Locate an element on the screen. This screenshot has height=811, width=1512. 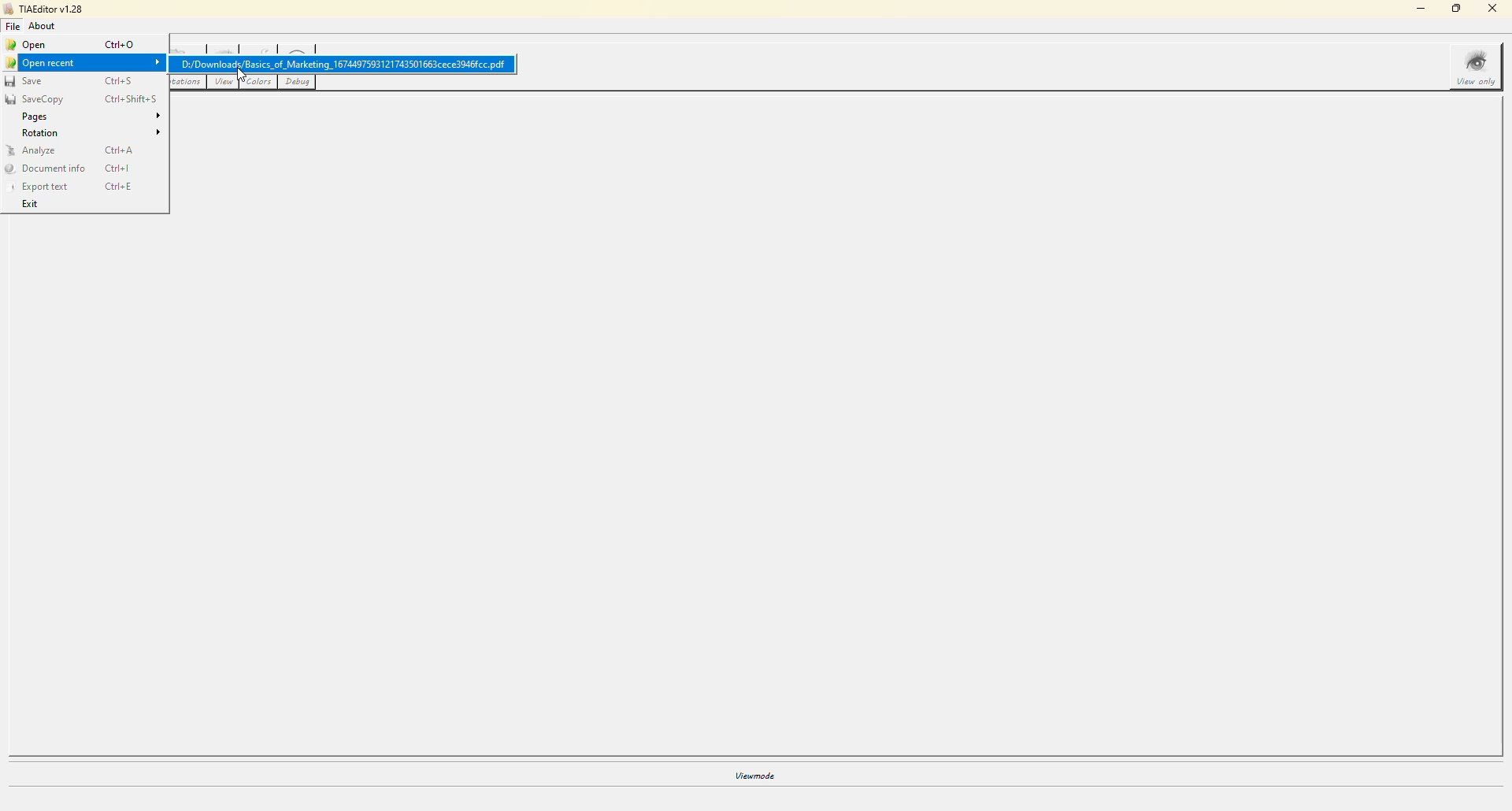
export text is located at coordinates (43, 189).